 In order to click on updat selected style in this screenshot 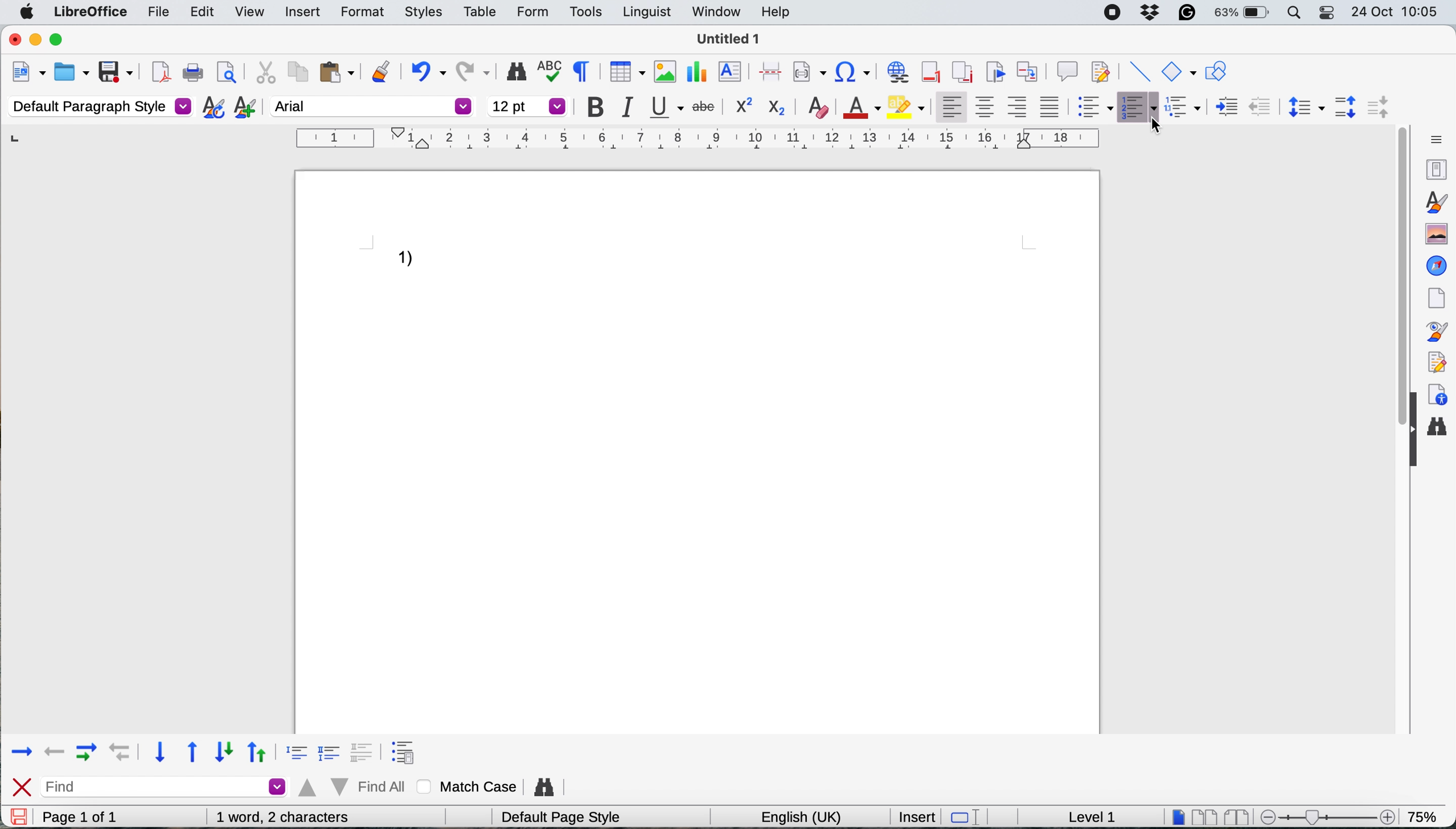, I will do `click(212, 107)`.